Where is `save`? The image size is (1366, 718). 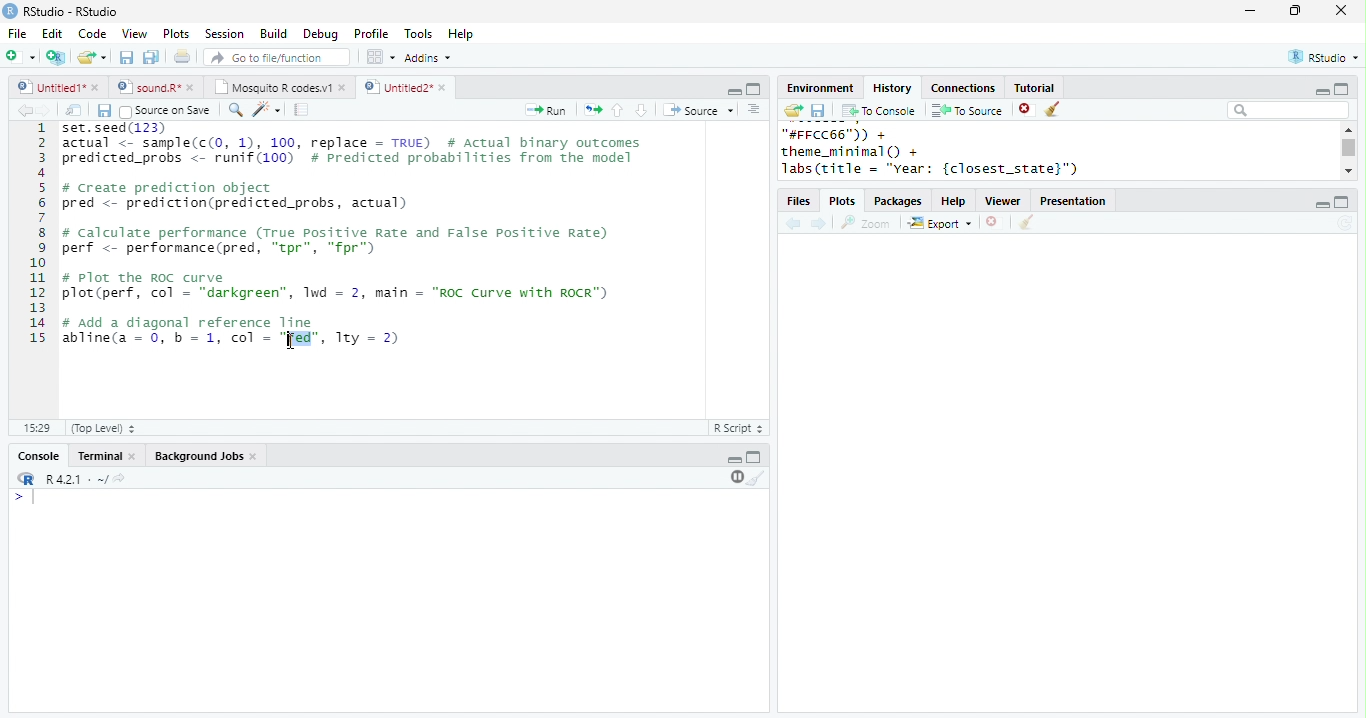
save is located at coordinates (818, 111).